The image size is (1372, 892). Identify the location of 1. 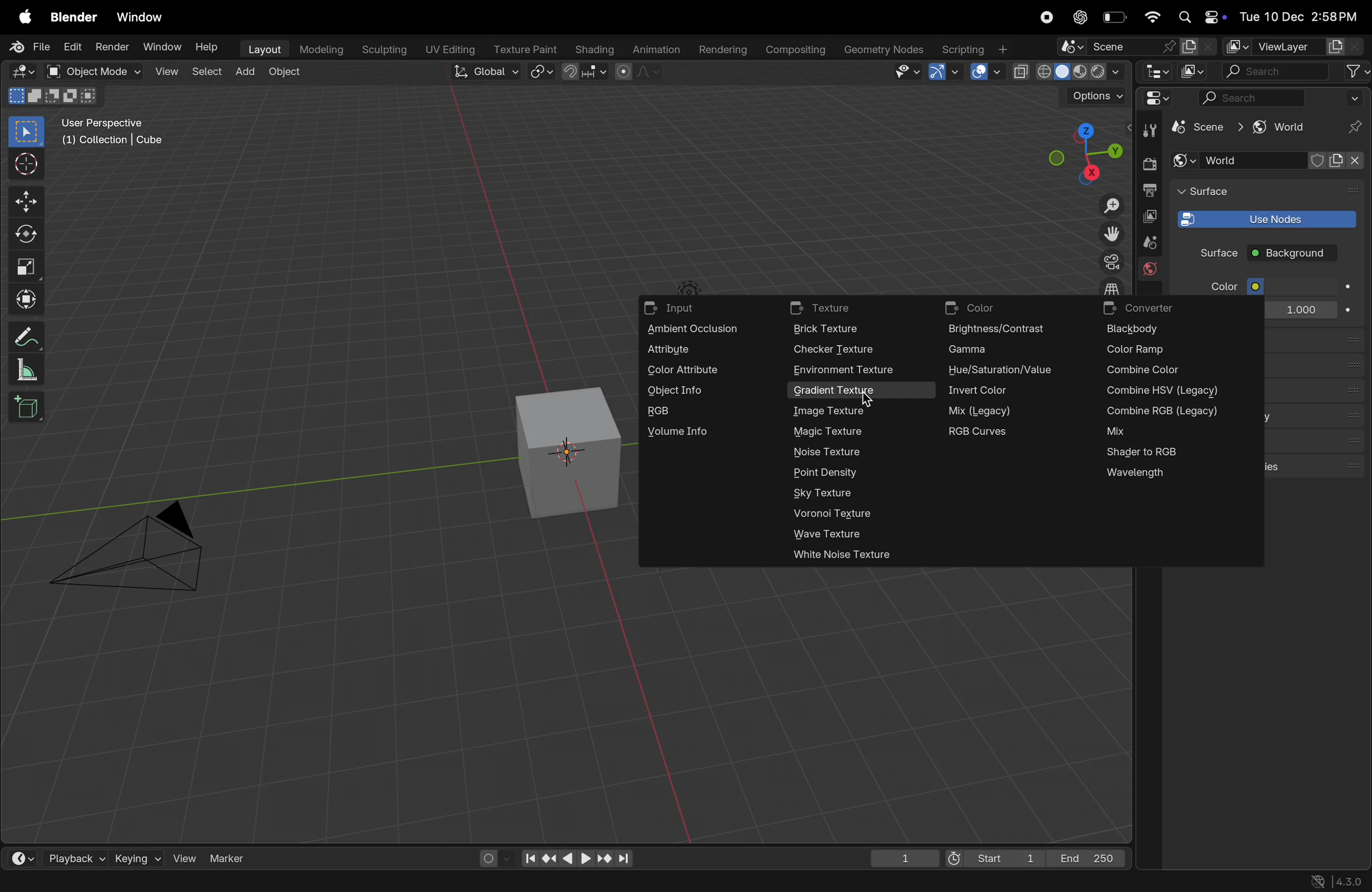
(899, 856).